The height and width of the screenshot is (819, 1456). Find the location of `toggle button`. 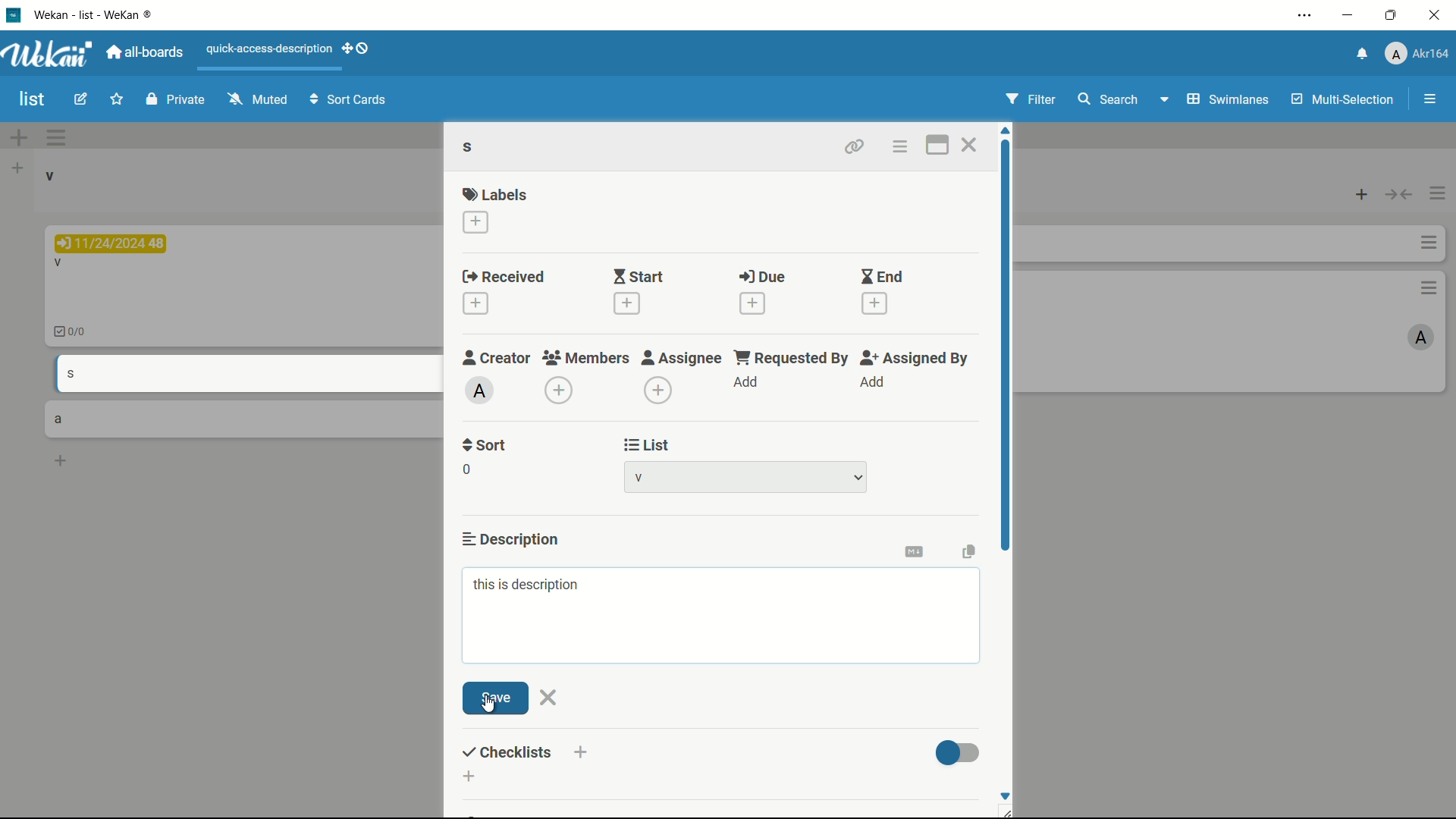

toggle button is located at coordinates (958, 750).